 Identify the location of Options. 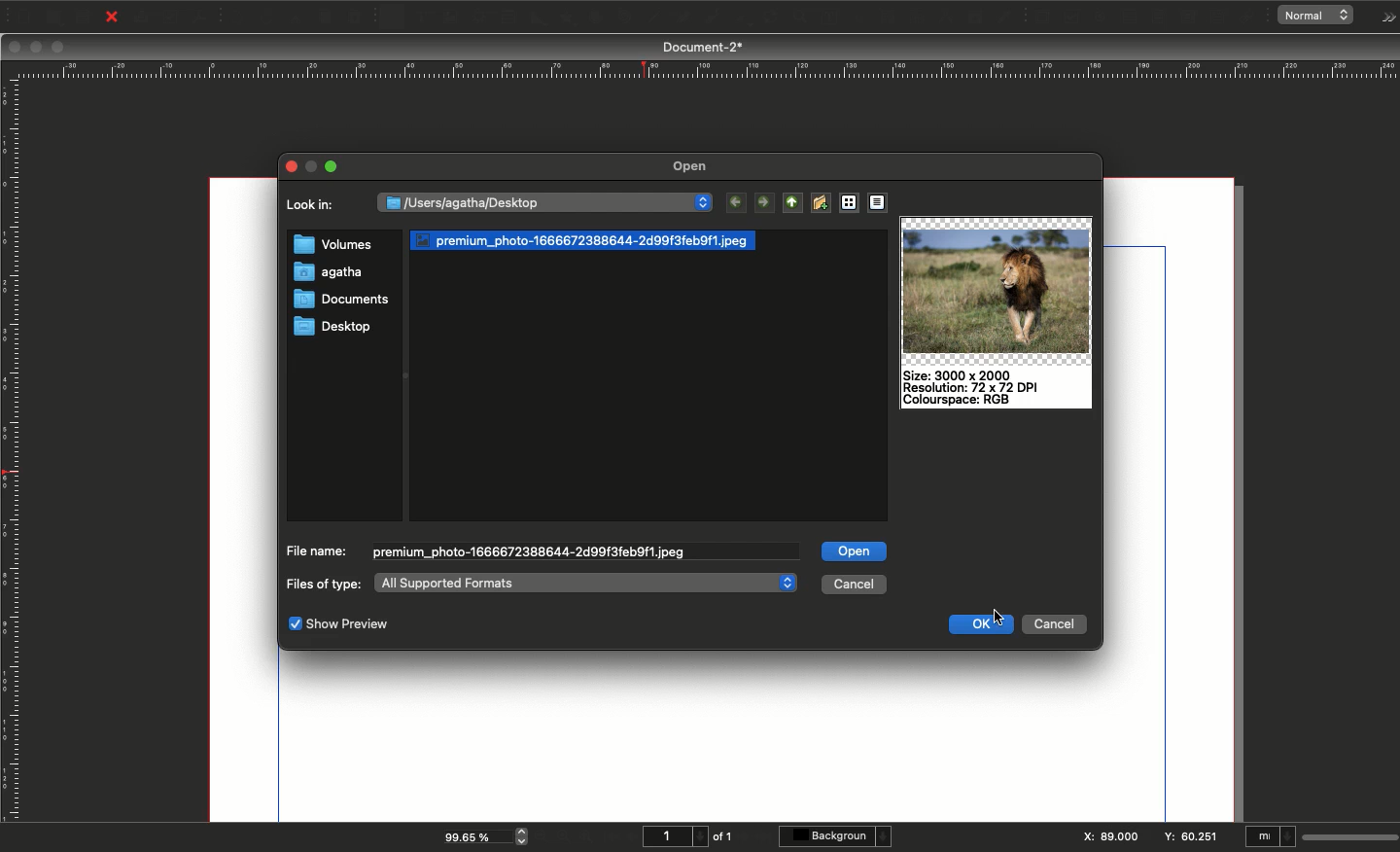
(1384, 18).